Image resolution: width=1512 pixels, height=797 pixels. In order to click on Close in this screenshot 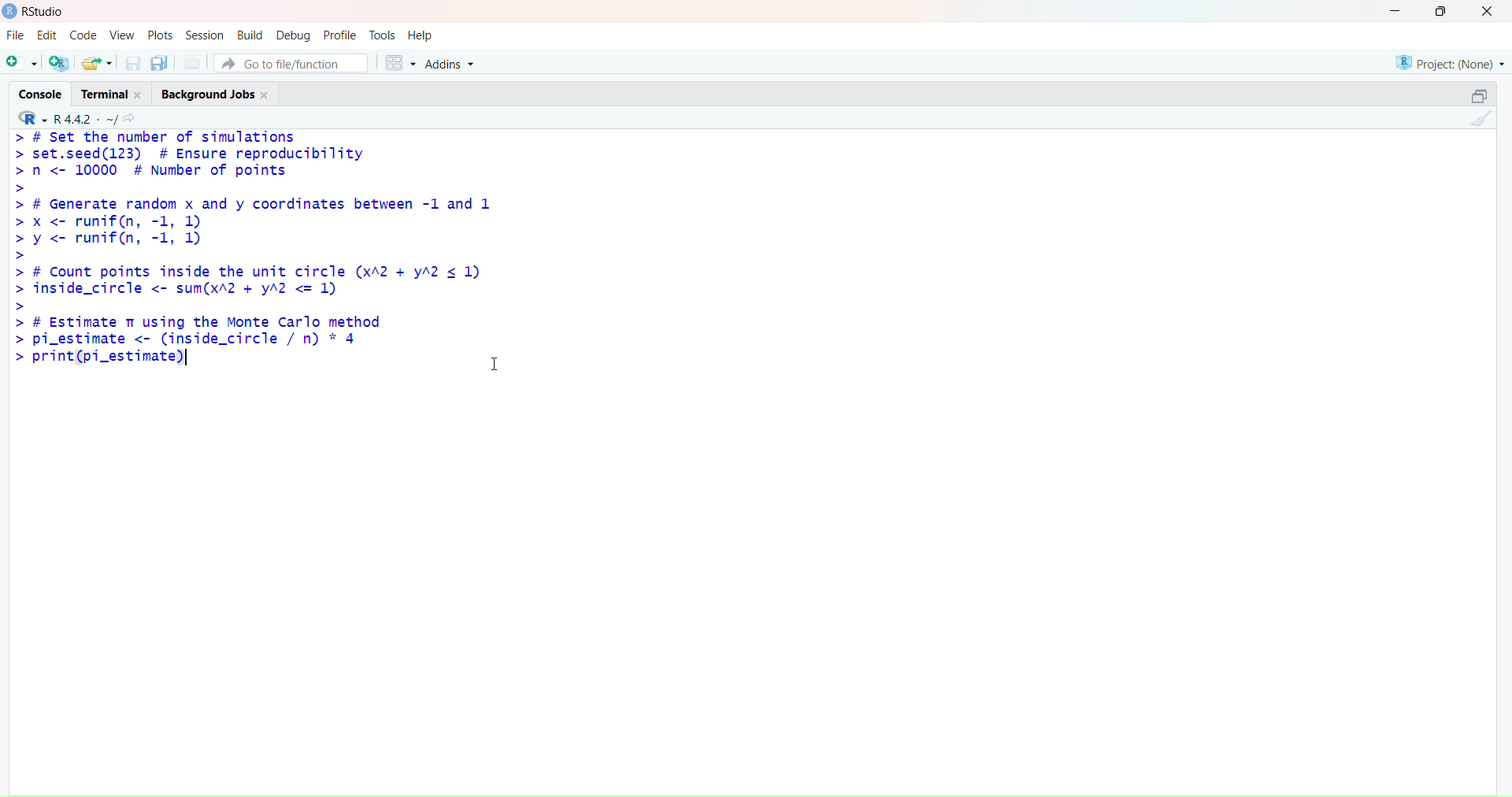, I will do `click(1487, 12)`.